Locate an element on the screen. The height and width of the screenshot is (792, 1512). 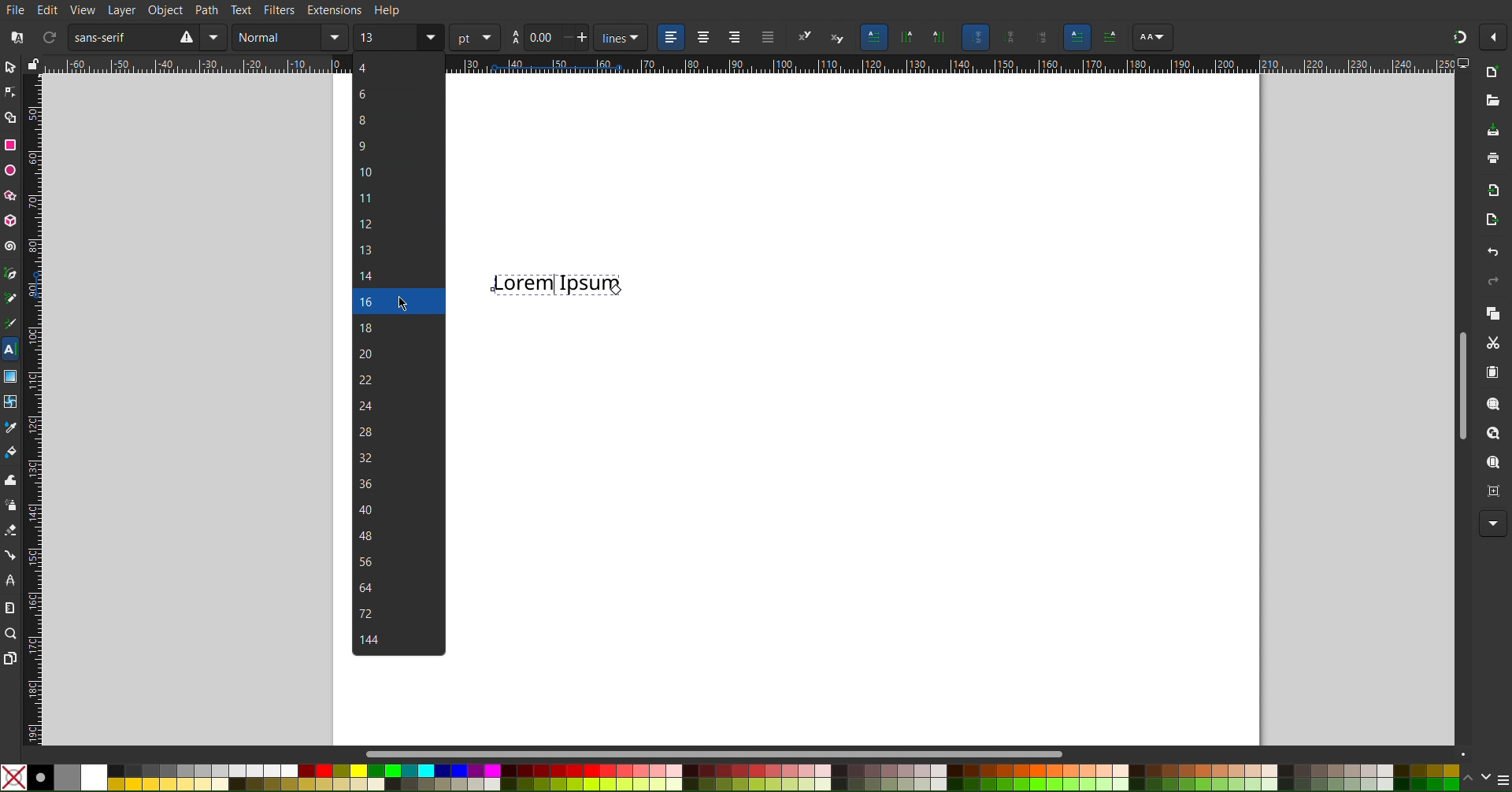
normal is located at coordinates (277, 37).